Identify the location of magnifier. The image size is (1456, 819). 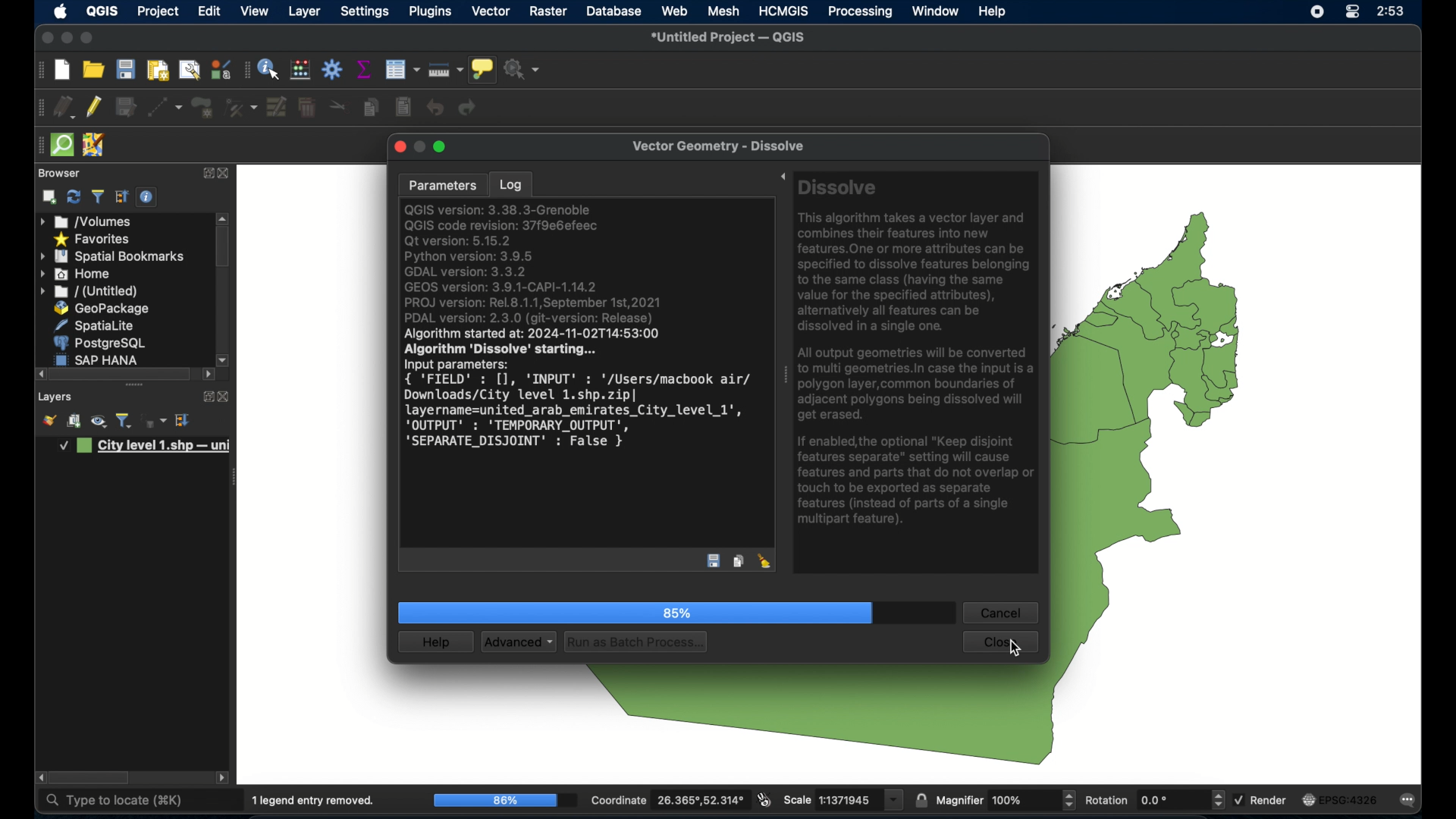
(1006, 799).